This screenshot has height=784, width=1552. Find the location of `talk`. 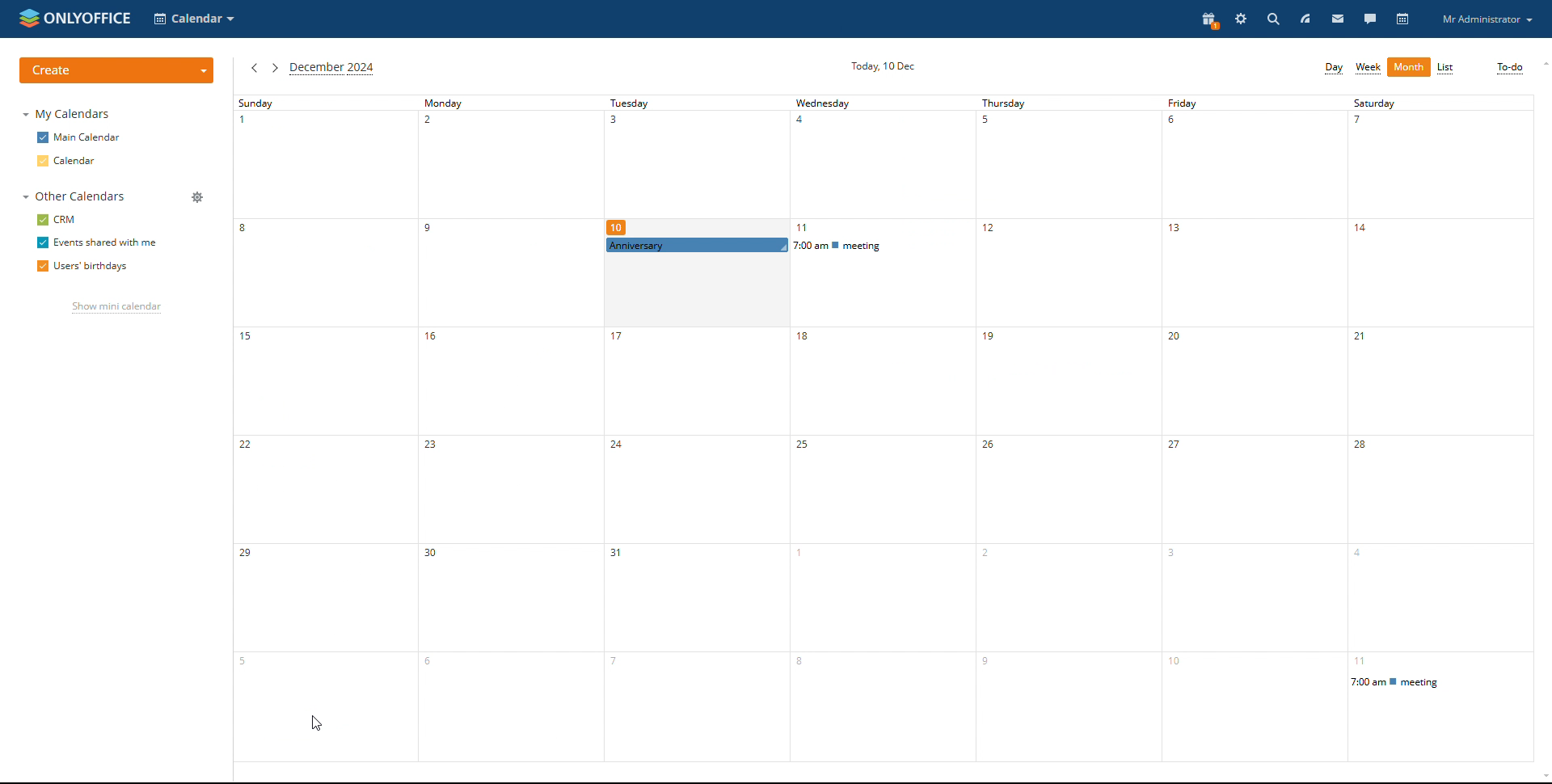

talk is located at coordinates (1369, 19).